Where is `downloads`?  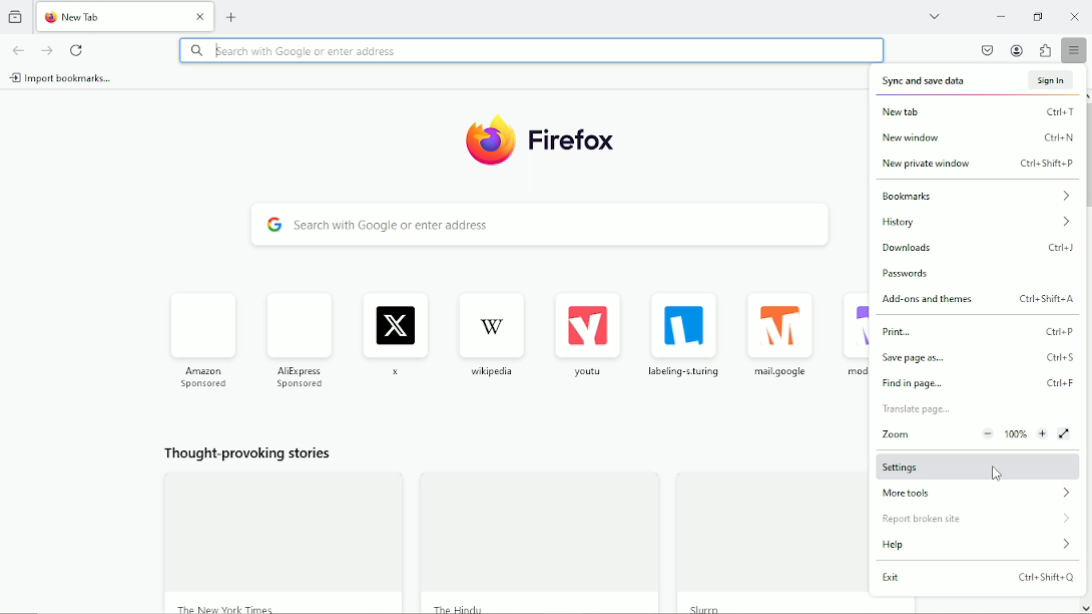 downloads is located at coordinates (983, 249).